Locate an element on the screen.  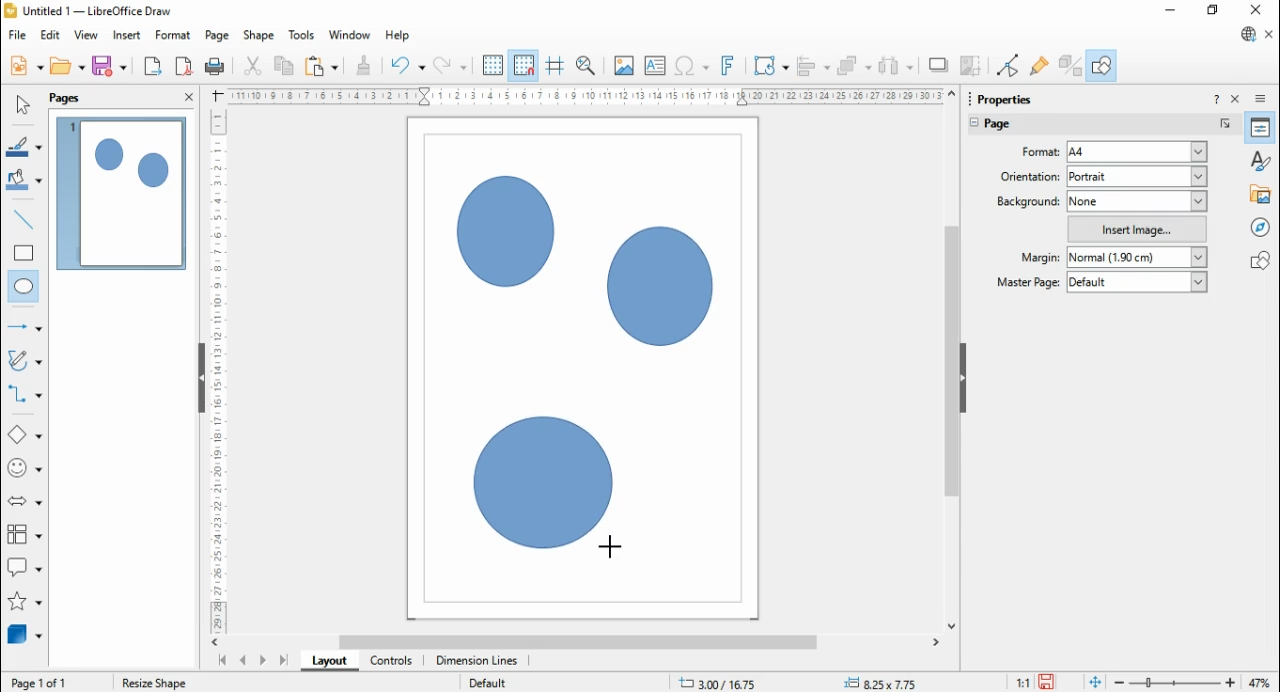
Shape selected is located at coordinates (163, 680).